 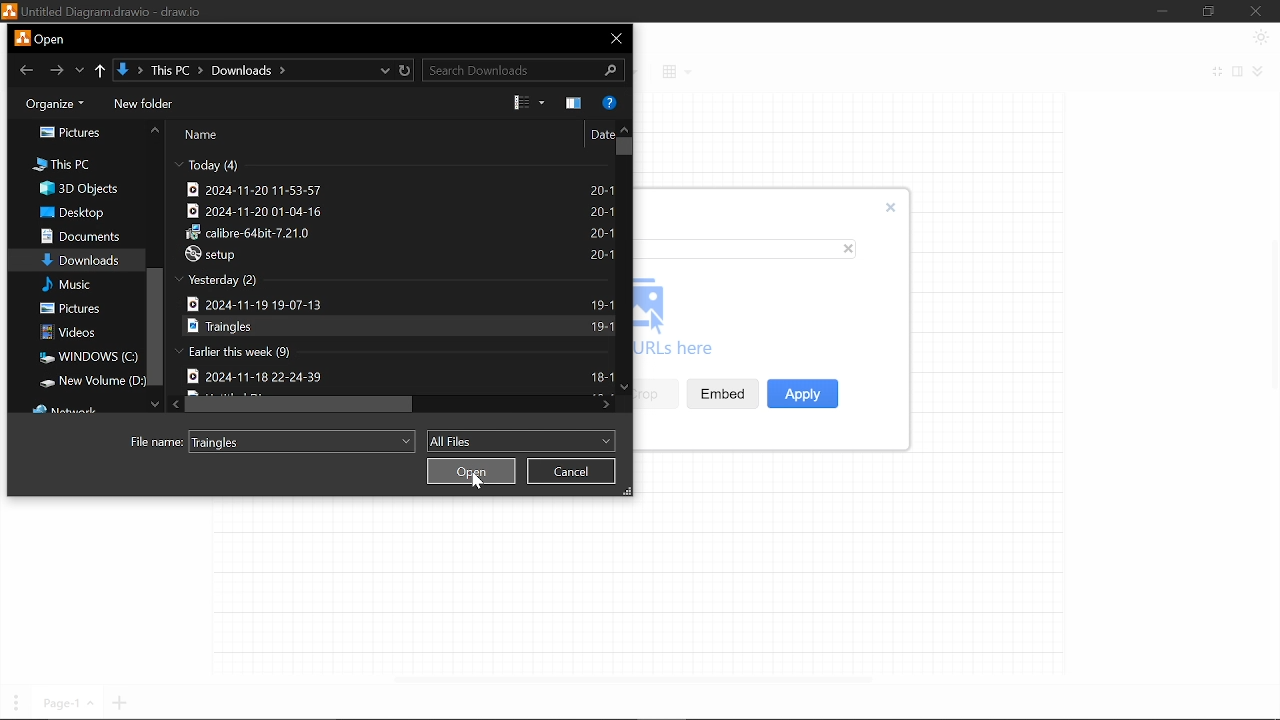 What do you see at coordinates (1255, 11) in the screenshot?
I see `Close` at bounding box center [1255, 11].